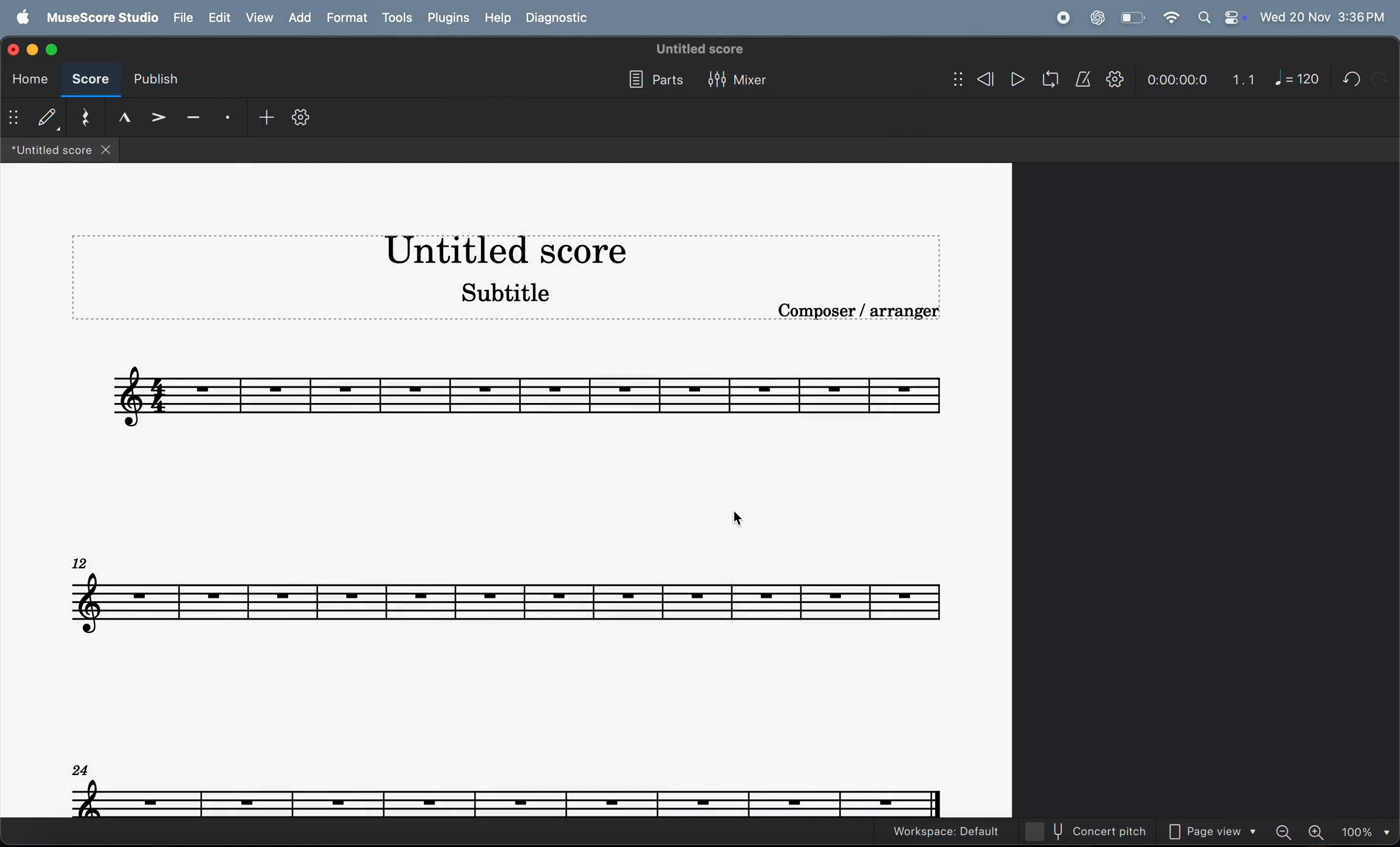 Image resolution: width=1400 pixels, height=847 pixels. I want to click on concert pitch, so click(1093, 831).